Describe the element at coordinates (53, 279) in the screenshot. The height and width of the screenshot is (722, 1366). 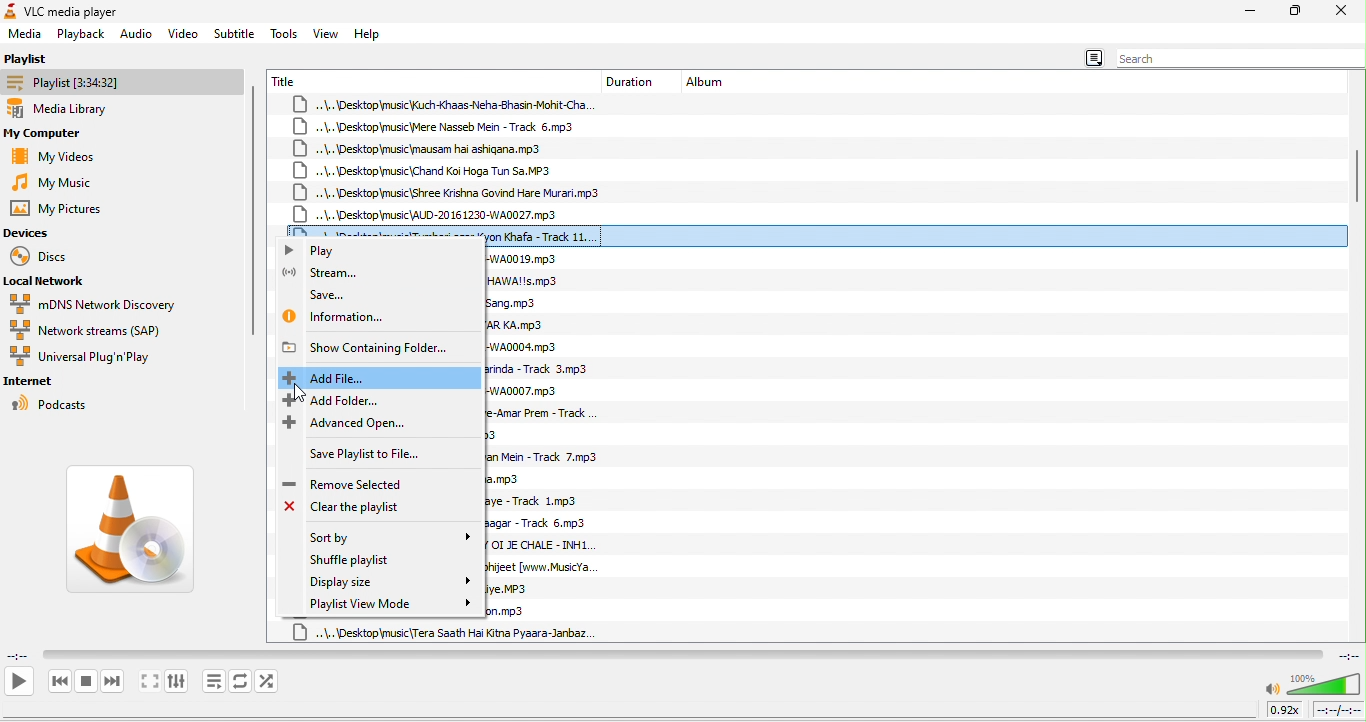
I see `local network` at that location.